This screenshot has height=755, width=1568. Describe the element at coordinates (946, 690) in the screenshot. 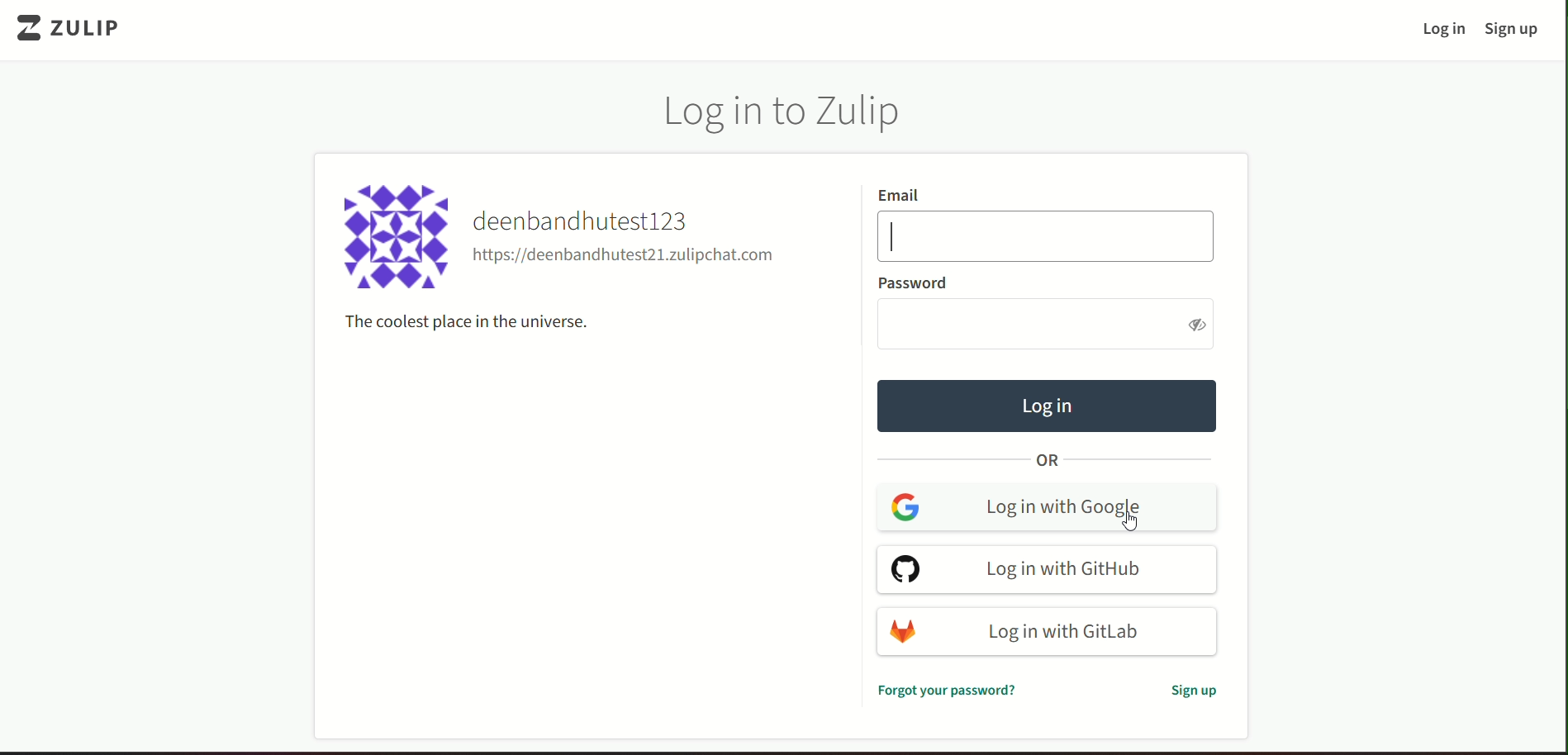

I see `text` at that location.